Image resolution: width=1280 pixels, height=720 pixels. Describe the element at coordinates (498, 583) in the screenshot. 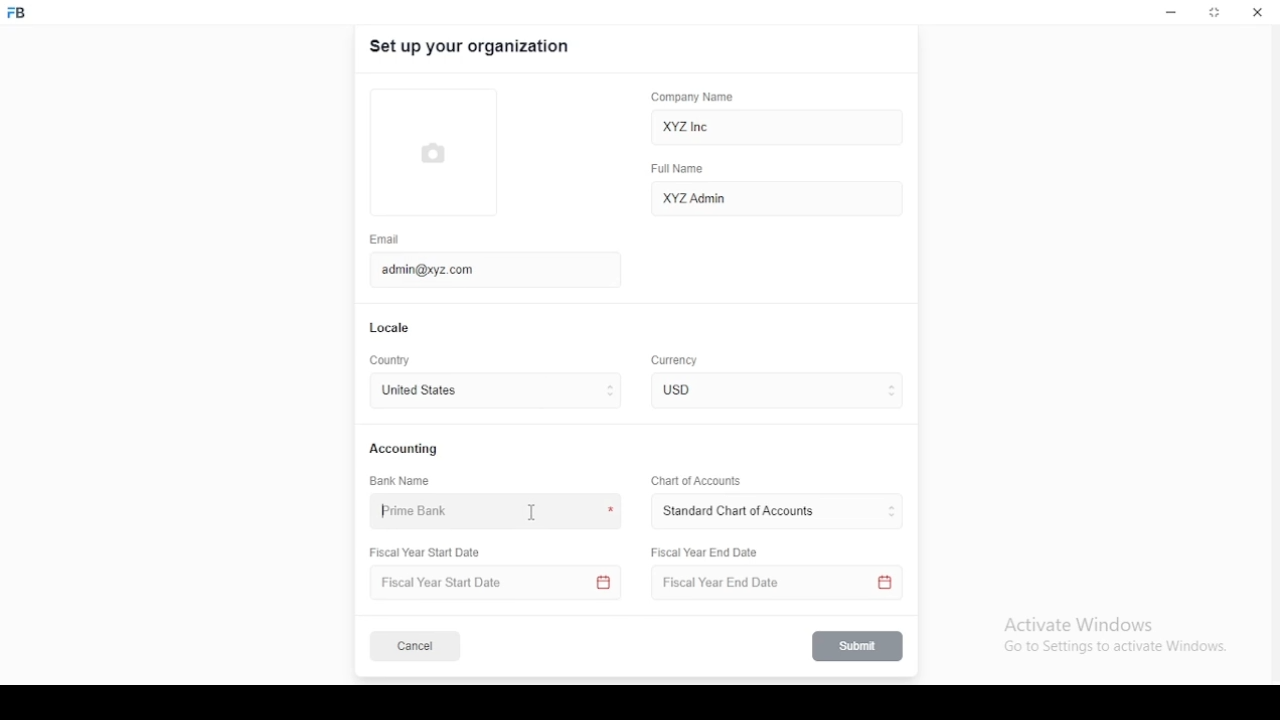

I see `Fiscal Year Start Date` at that location.